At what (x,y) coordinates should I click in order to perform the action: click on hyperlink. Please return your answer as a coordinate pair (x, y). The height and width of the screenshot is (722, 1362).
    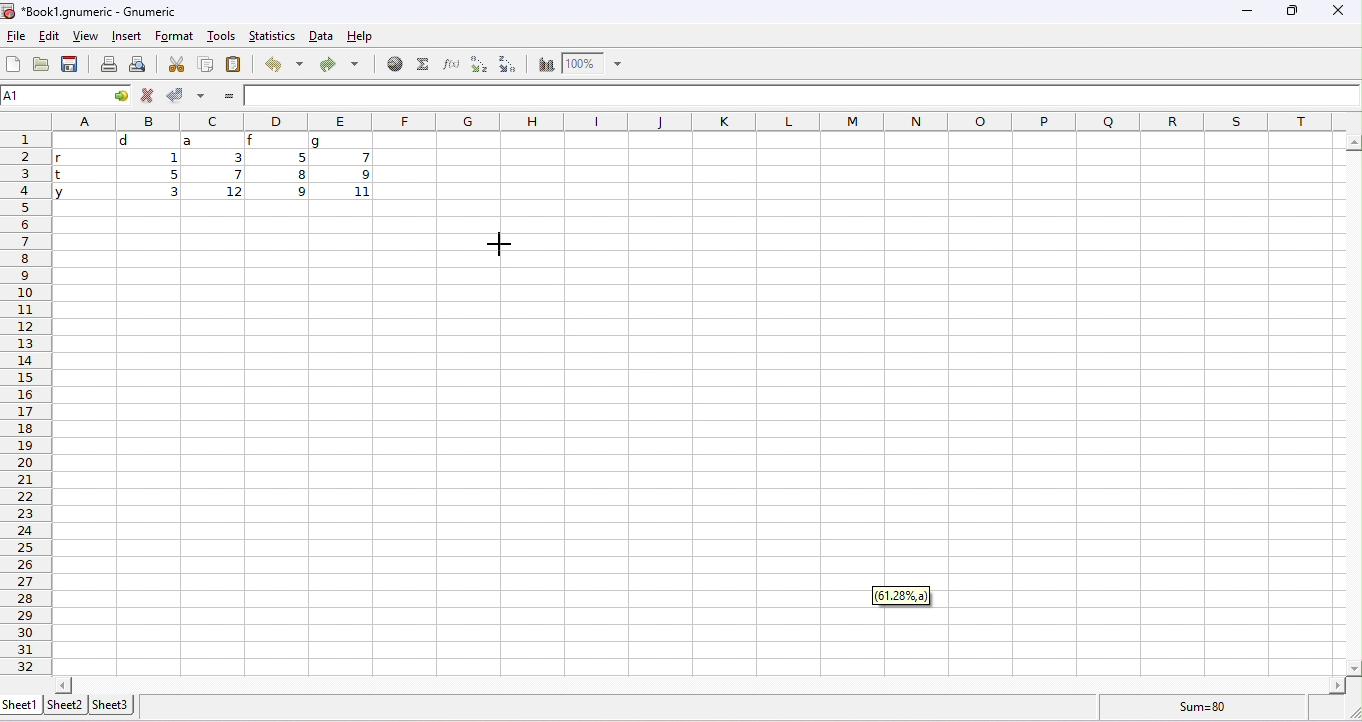
    Looking at the image, I should click on (392, 63).